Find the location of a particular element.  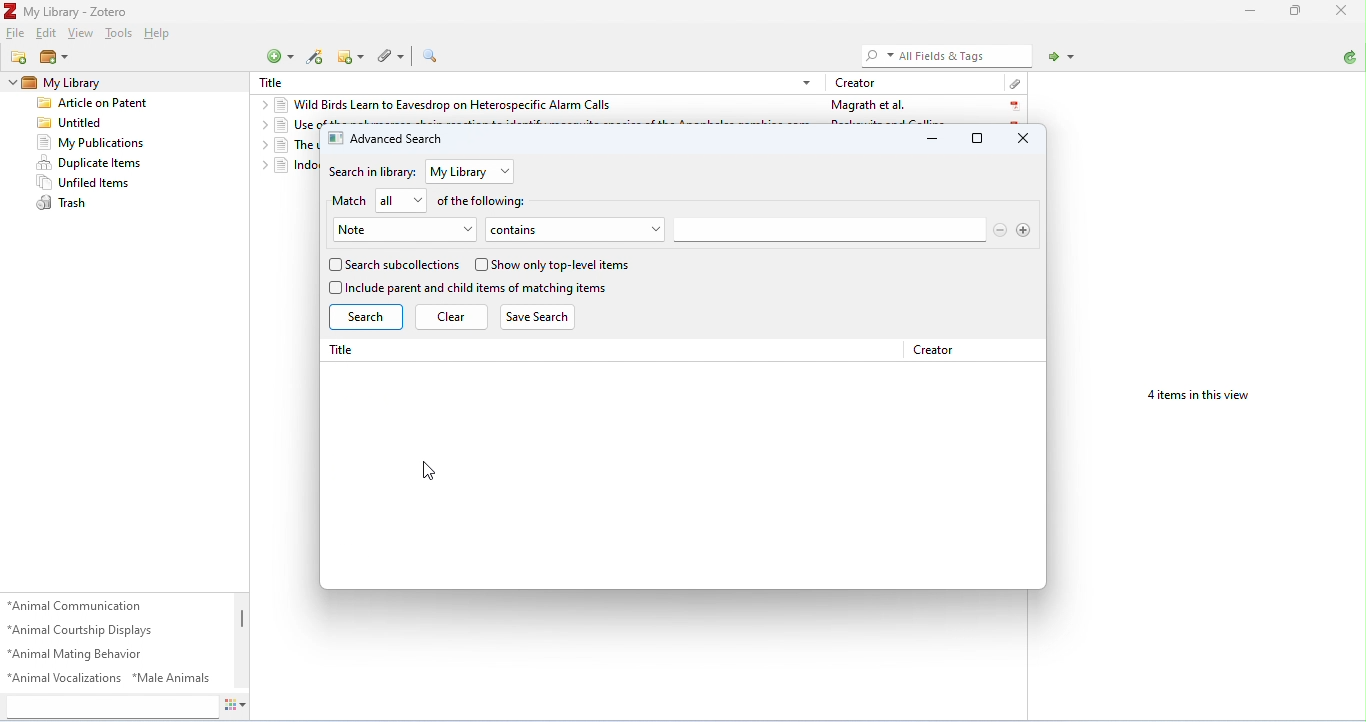

new item is located at coordinates (280, 57).